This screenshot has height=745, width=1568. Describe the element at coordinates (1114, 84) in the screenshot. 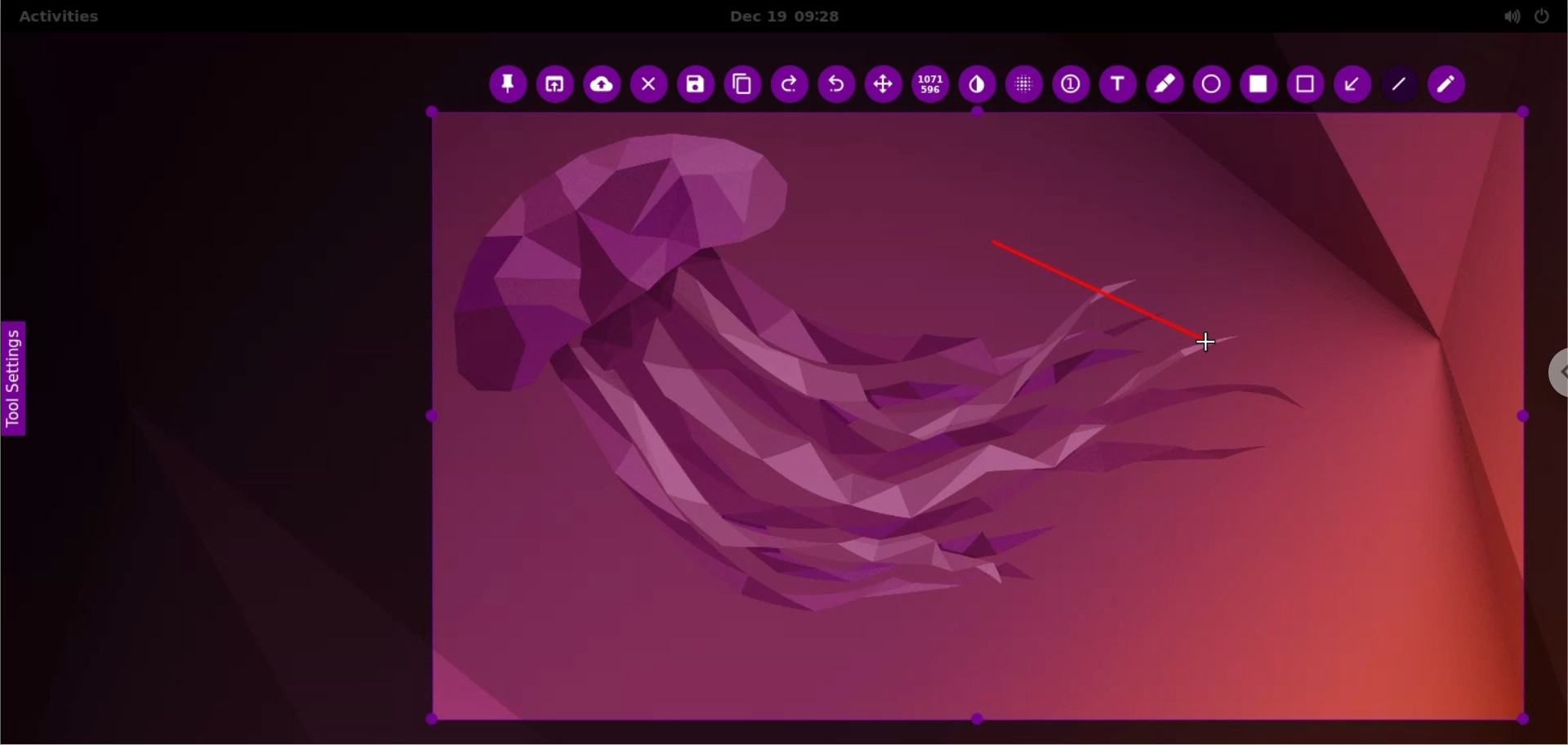

I see `text` at that location.